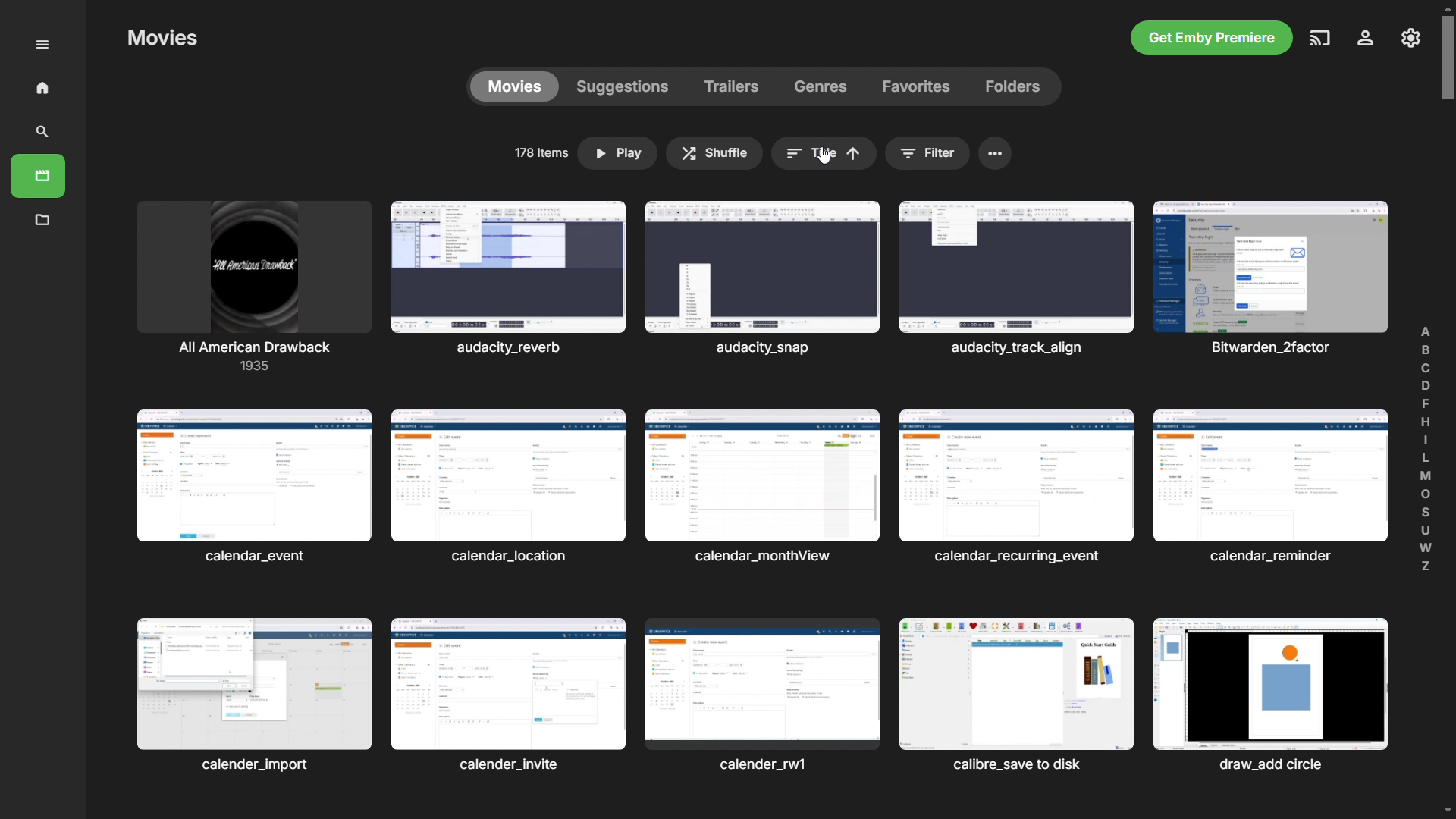  Describe the element at coordinates (42, 42) in the screenshot. I see `menu` at that location.